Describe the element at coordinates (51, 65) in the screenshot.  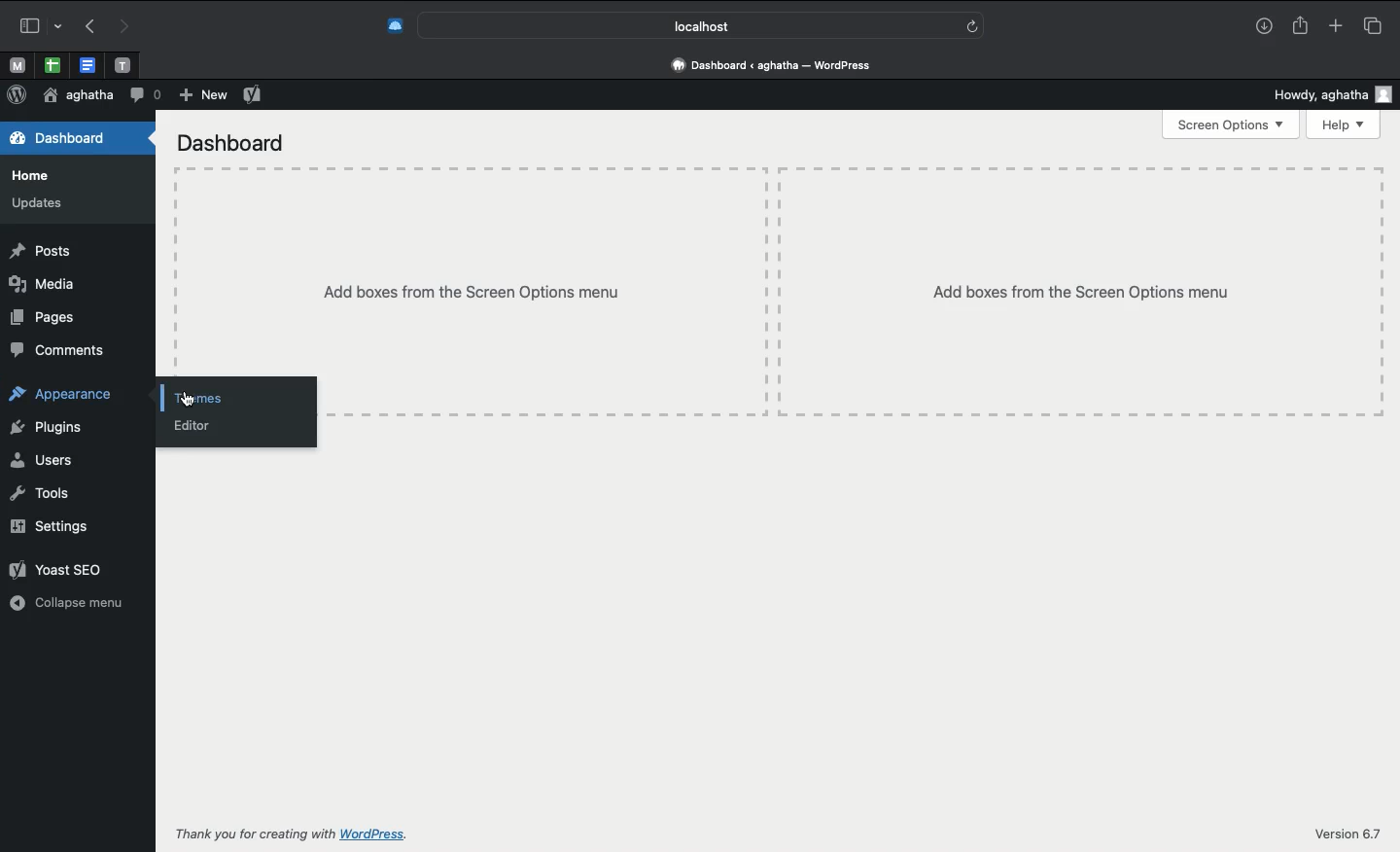
I see `open tab, google sheet` at that location.